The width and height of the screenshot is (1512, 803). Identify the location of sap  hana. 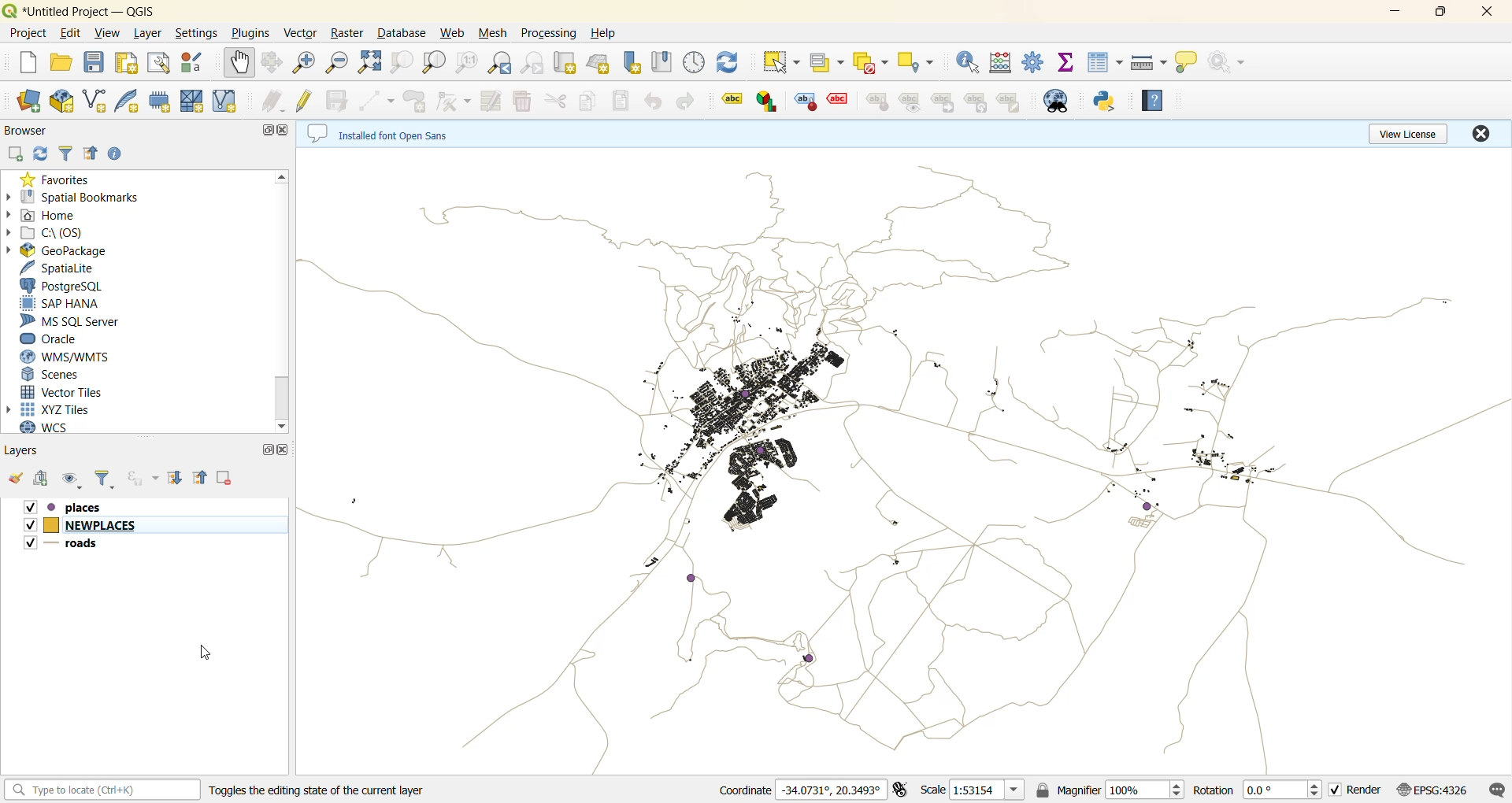
(61, 303).